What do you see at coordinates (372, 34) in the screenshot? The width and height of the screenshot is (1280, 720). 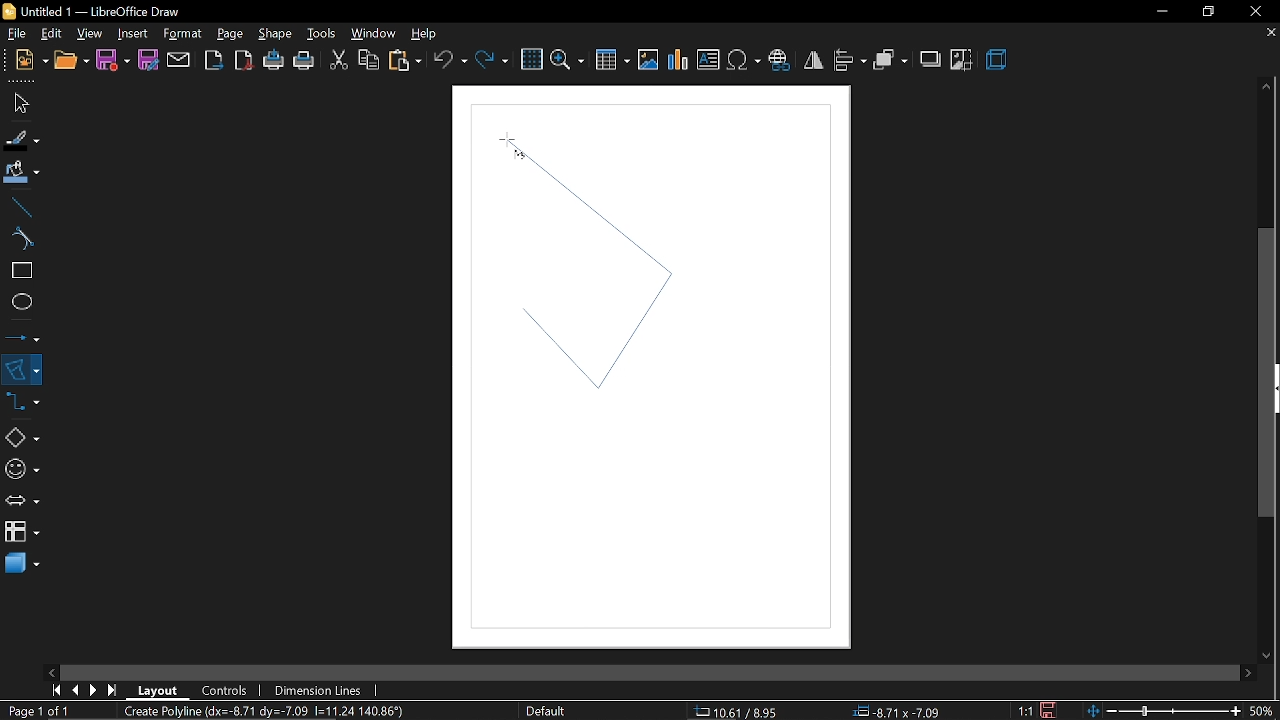 I see `window` at bounding box center [372, 34].